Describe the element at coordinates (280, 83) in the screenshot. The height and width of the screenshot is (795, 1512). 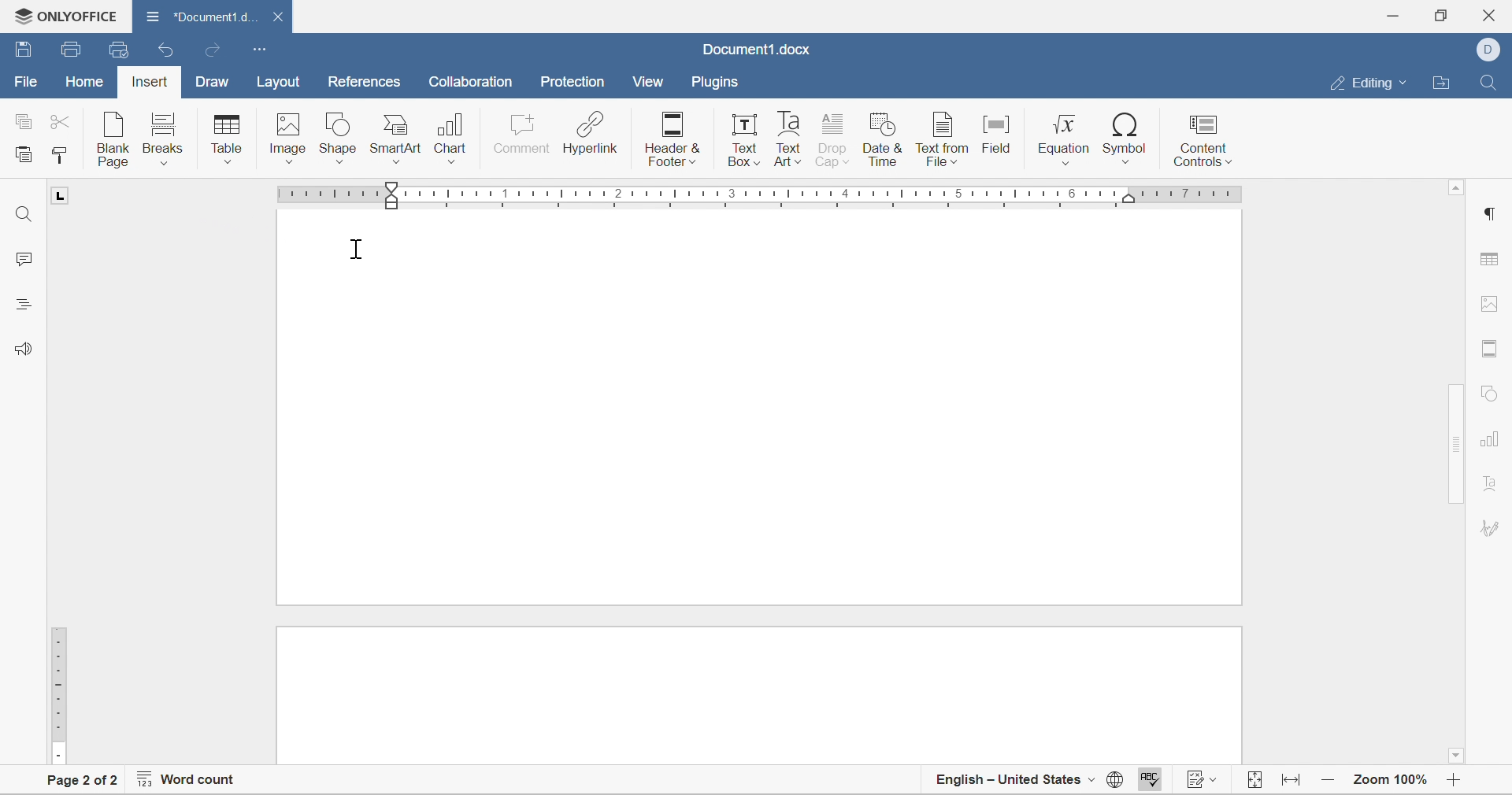
I see `Layout` at that location.